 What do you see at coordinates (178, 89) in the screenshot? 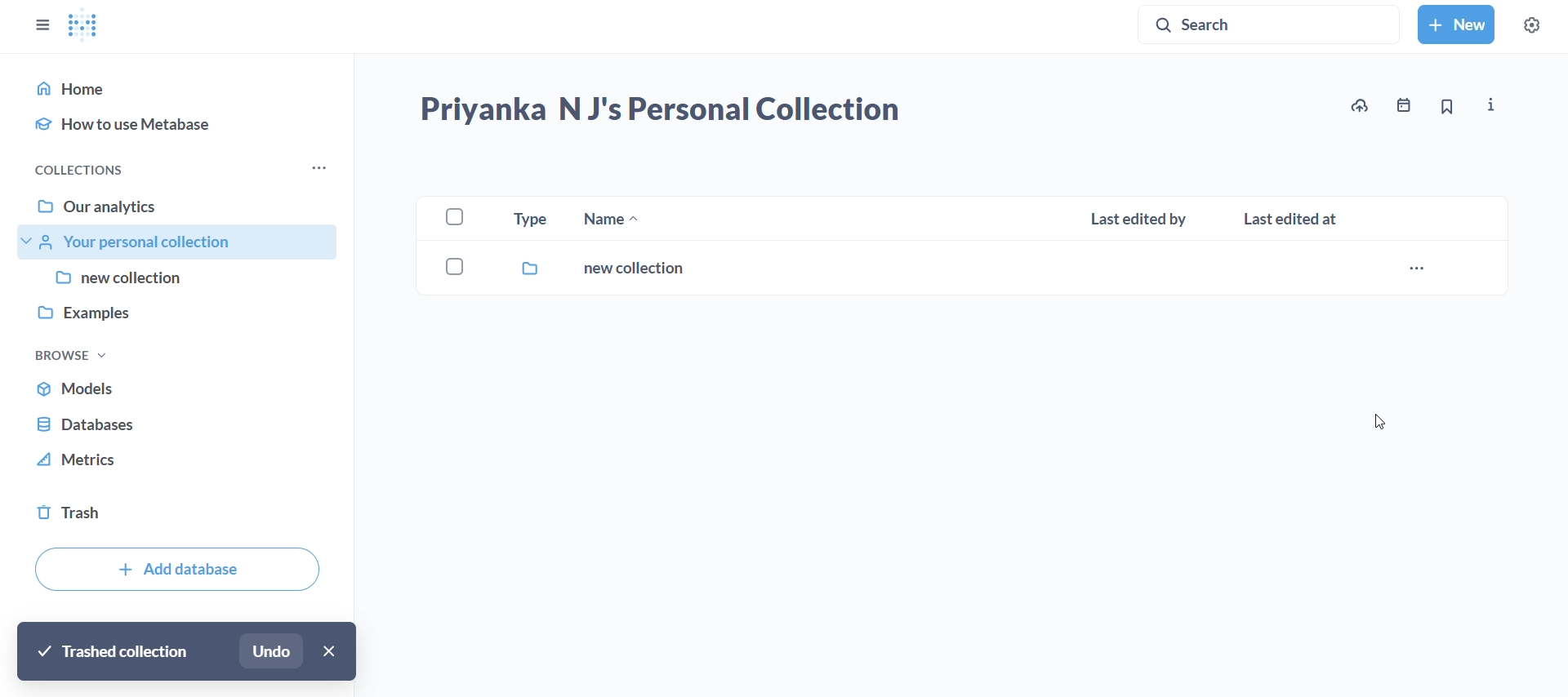
I see `home` at bounding box center [178, 89].